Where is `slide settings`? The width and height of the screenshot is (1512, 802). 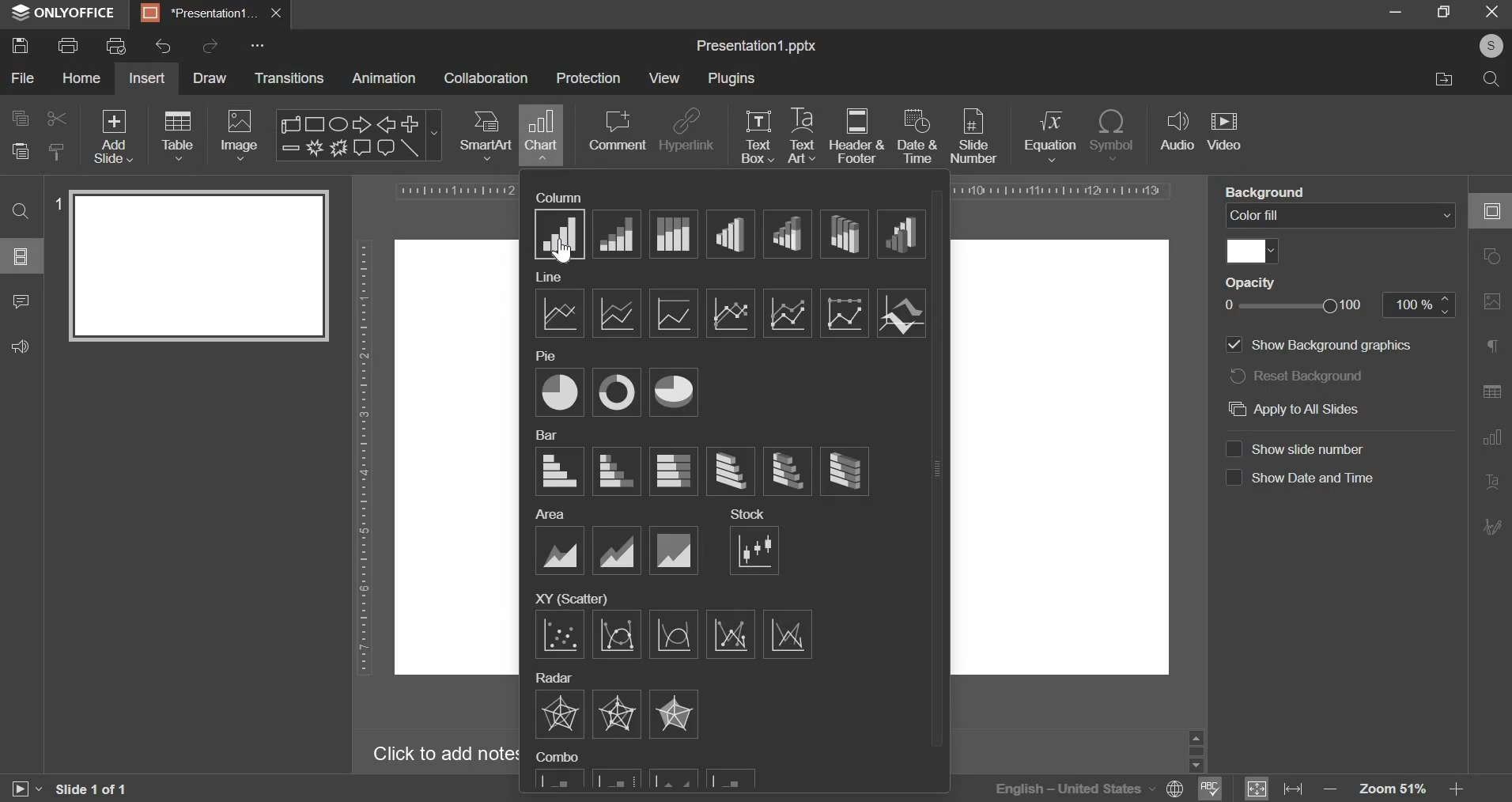 slide settings is located at coordinates (1489, 208).